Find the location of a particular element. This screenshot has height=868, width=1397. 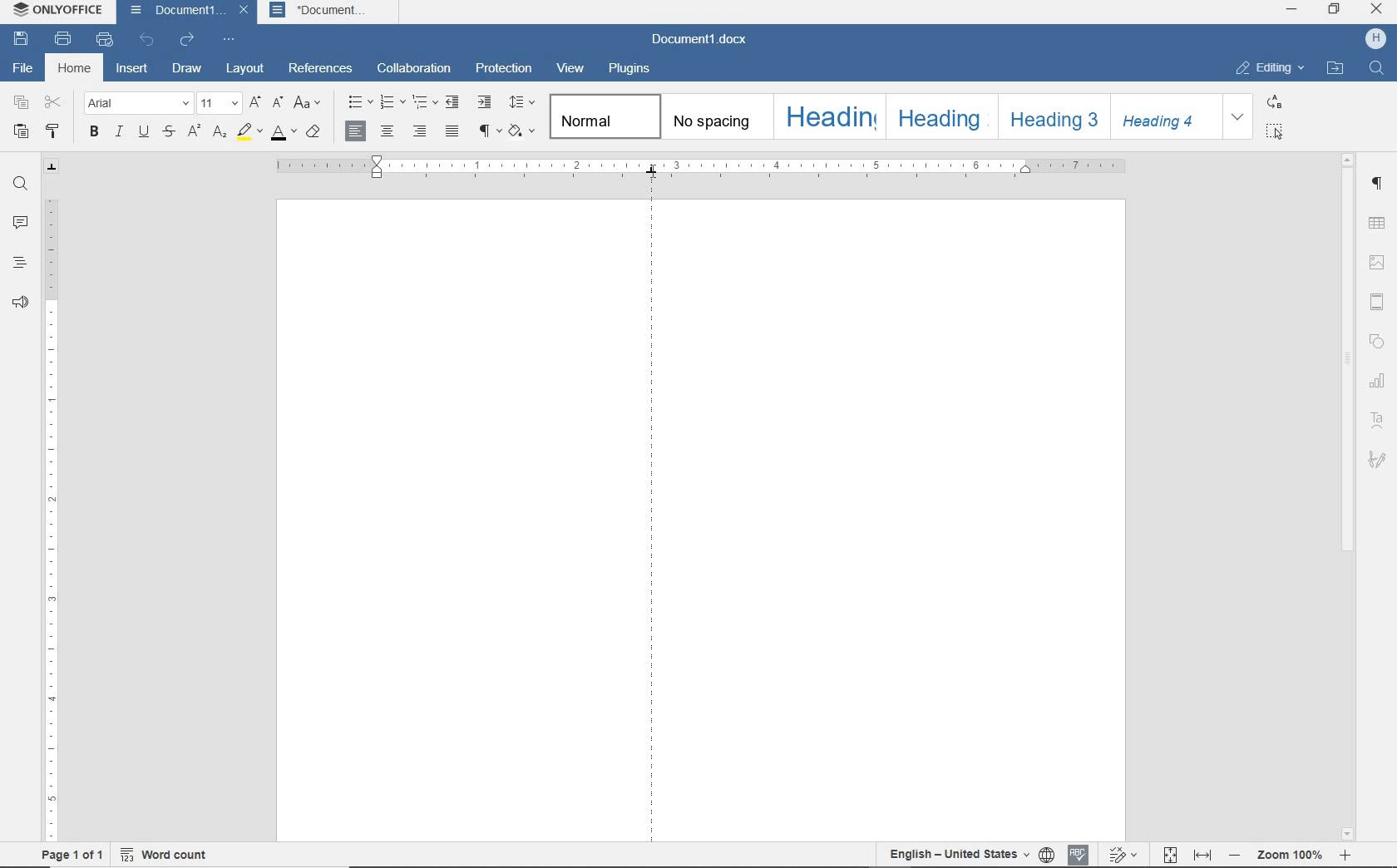

zoom in is located at coordinates (1346, 856).